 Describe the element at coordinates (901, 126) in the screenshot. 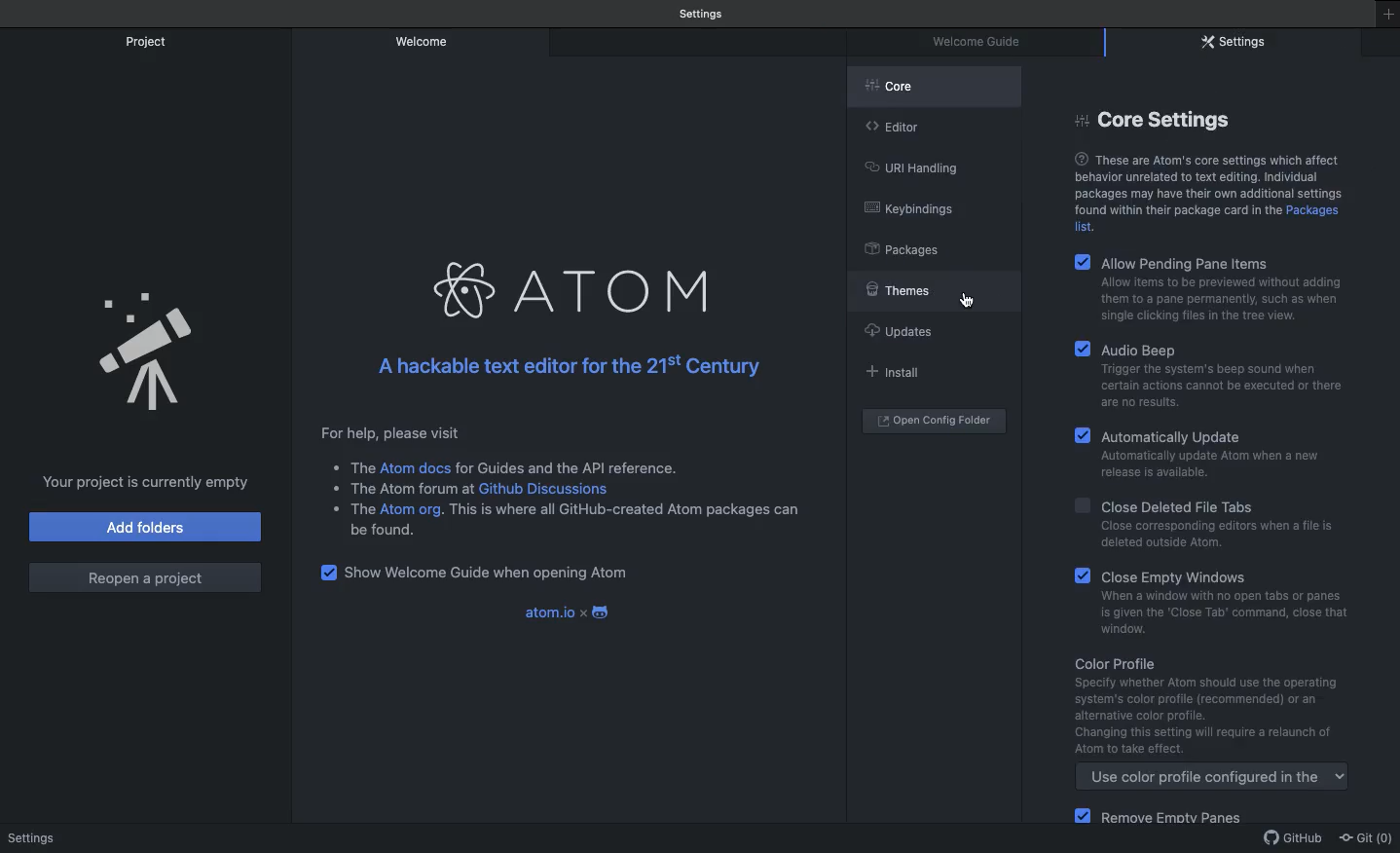

I see `Editor` at that location.